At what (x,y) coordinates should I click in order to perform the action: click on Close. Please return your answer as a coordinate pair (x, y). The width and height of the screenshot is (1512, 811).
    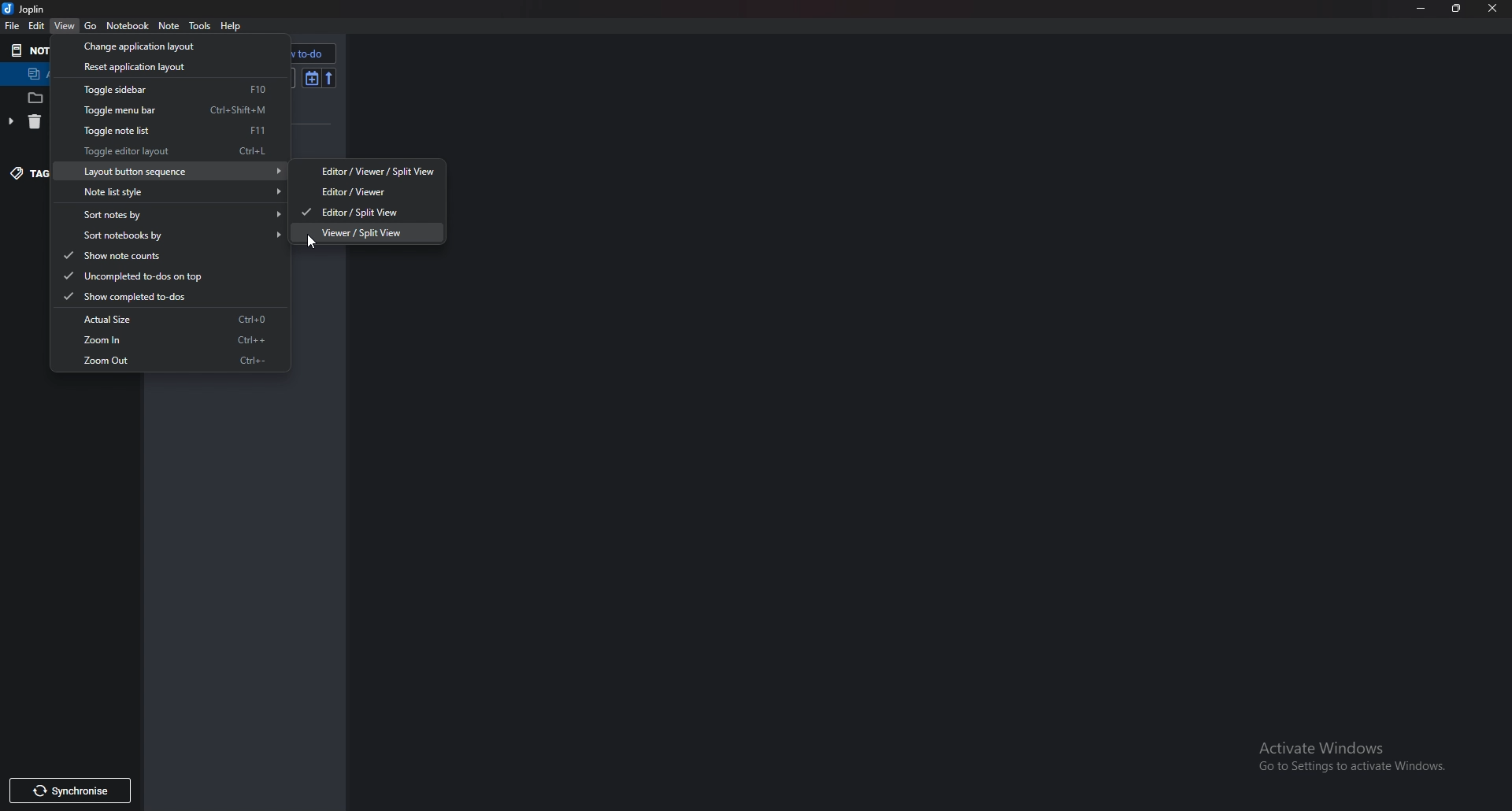
    Looking at the image, I should click on (1488, 9).